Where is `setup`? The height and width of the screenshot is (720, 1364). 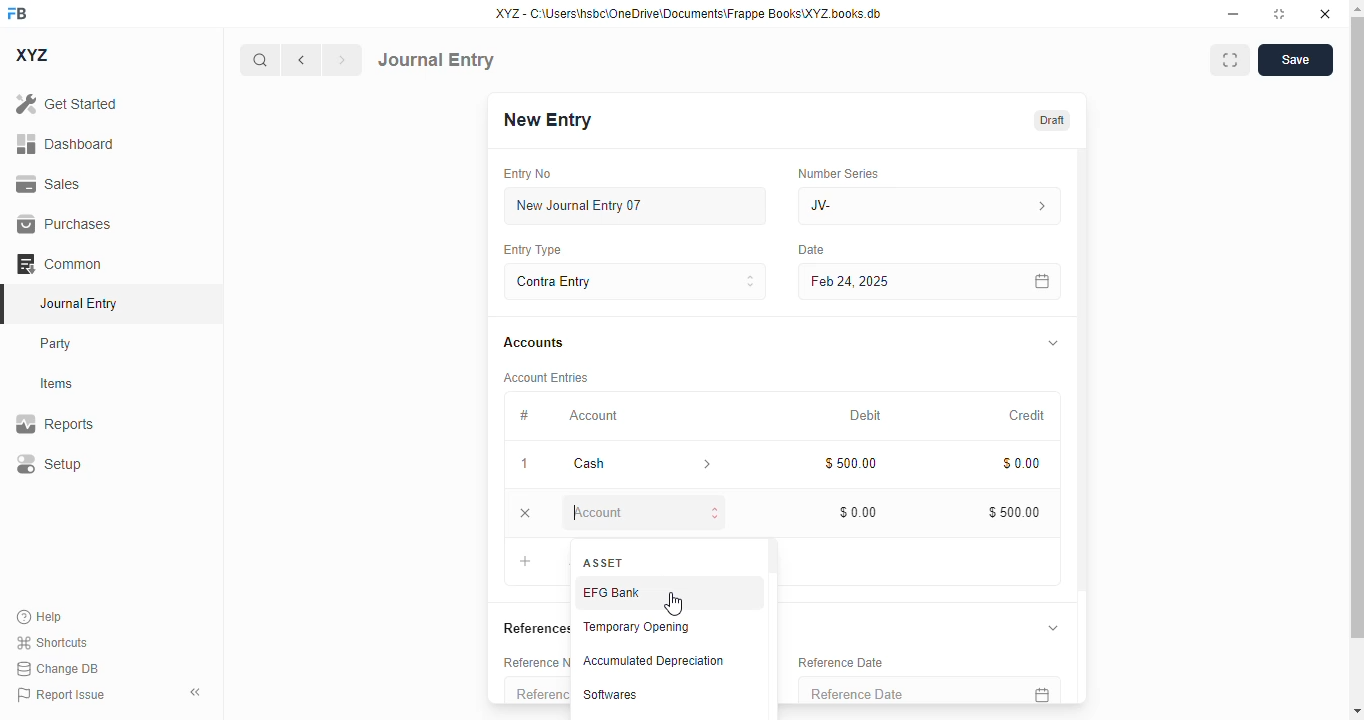
setup is located at coordinates (49, 463).